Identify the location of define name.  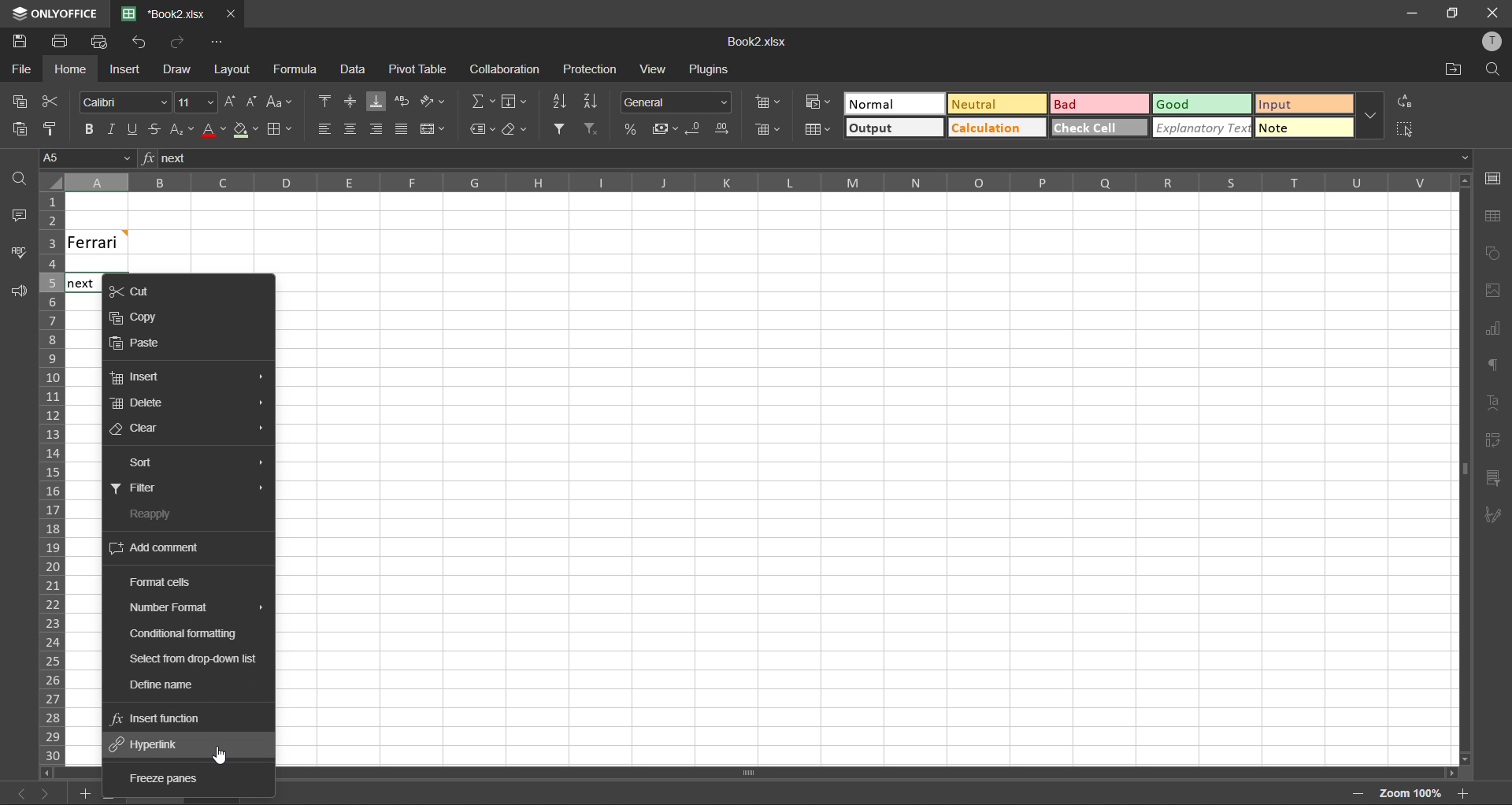
(165, 687).